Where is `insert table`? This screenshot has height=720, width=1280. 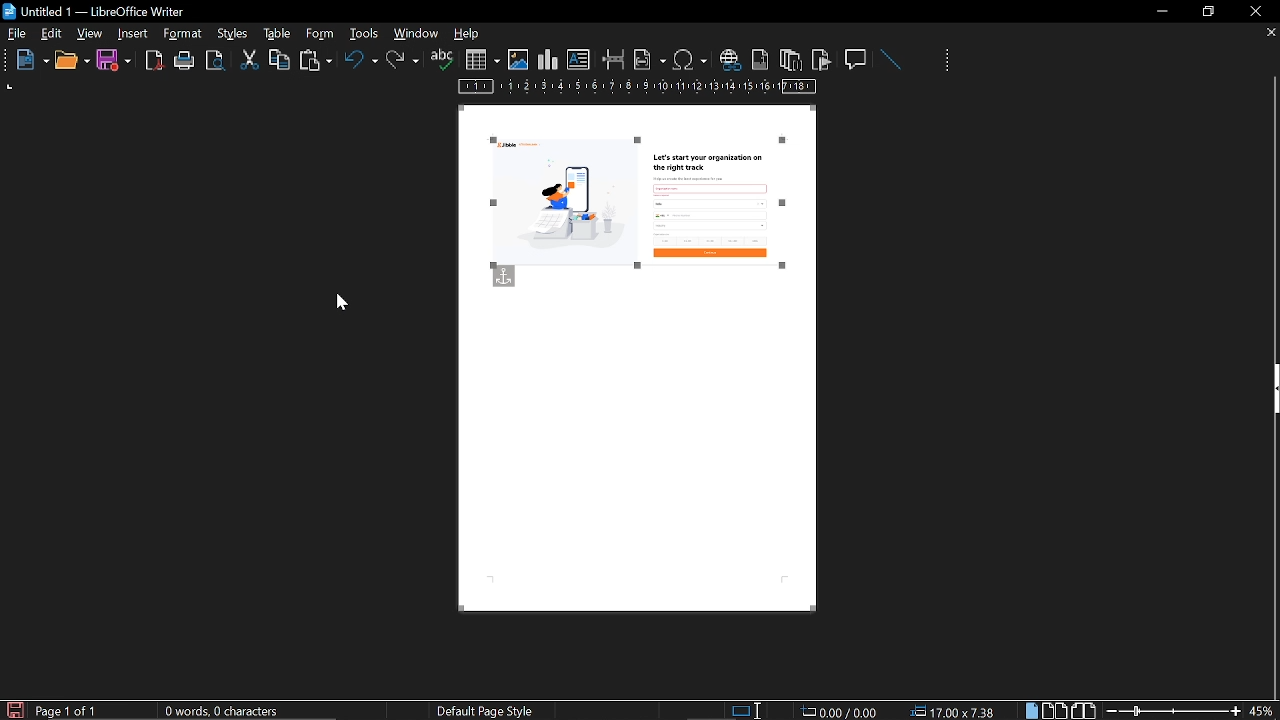 insert table is located at coordinates (482, 60).